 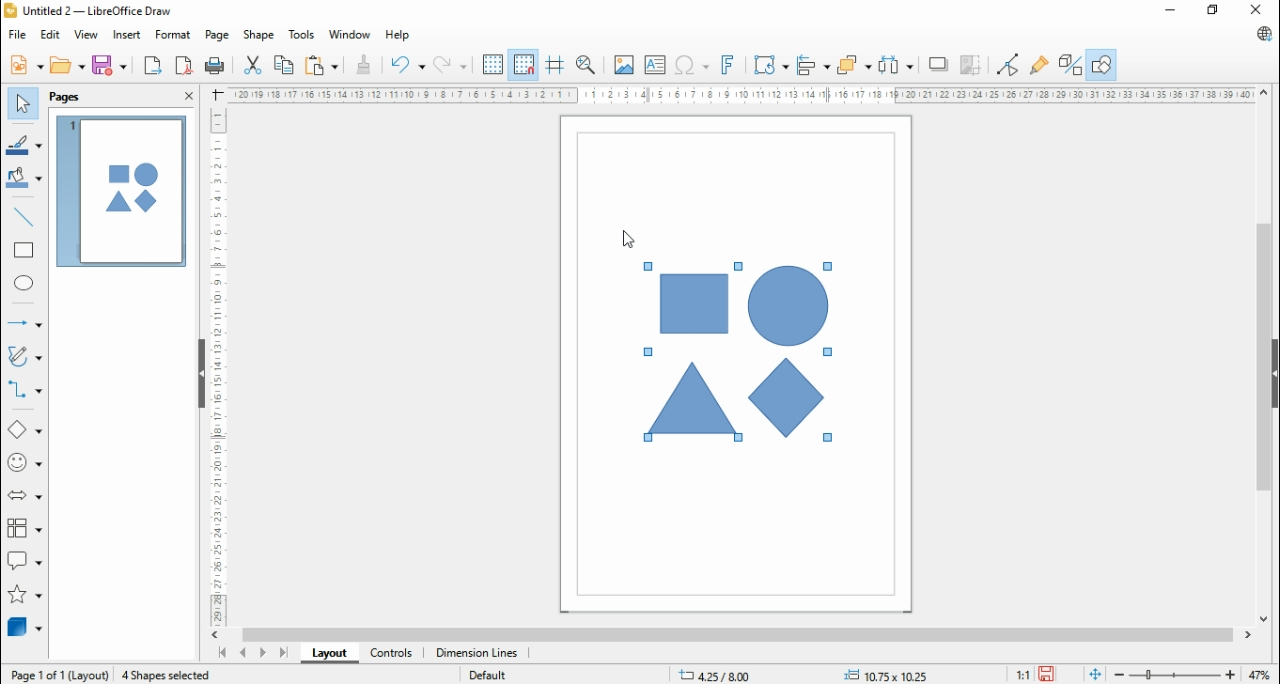 What do you see at coordinates (1009, 64) in the screenshot?
I see `toggle point edit mode` at bounding box center [1009, 64].